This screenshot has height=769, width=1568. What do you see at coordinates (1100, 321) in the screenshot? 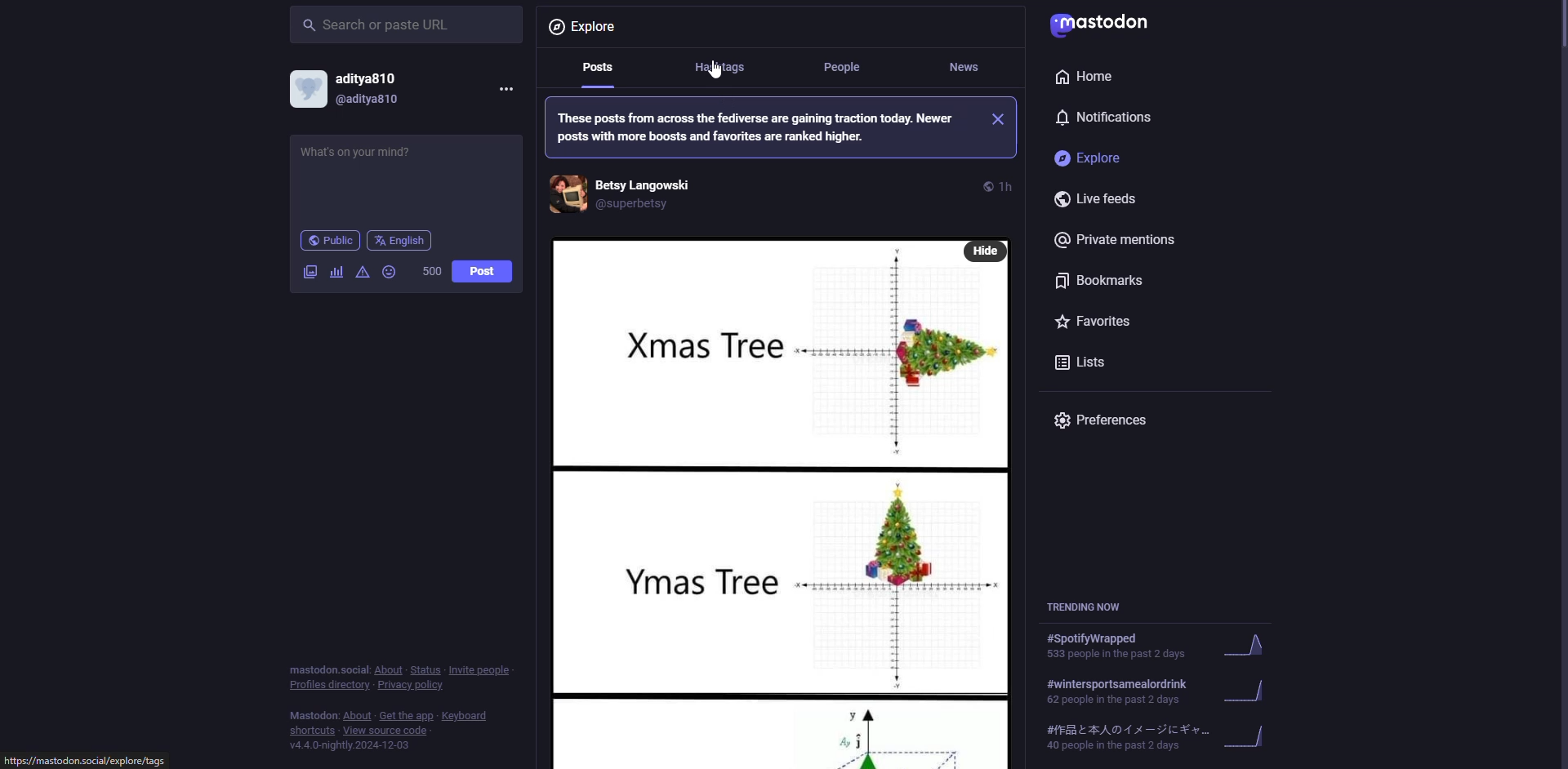
I see `favorites` at bounding box center [1100, 321].